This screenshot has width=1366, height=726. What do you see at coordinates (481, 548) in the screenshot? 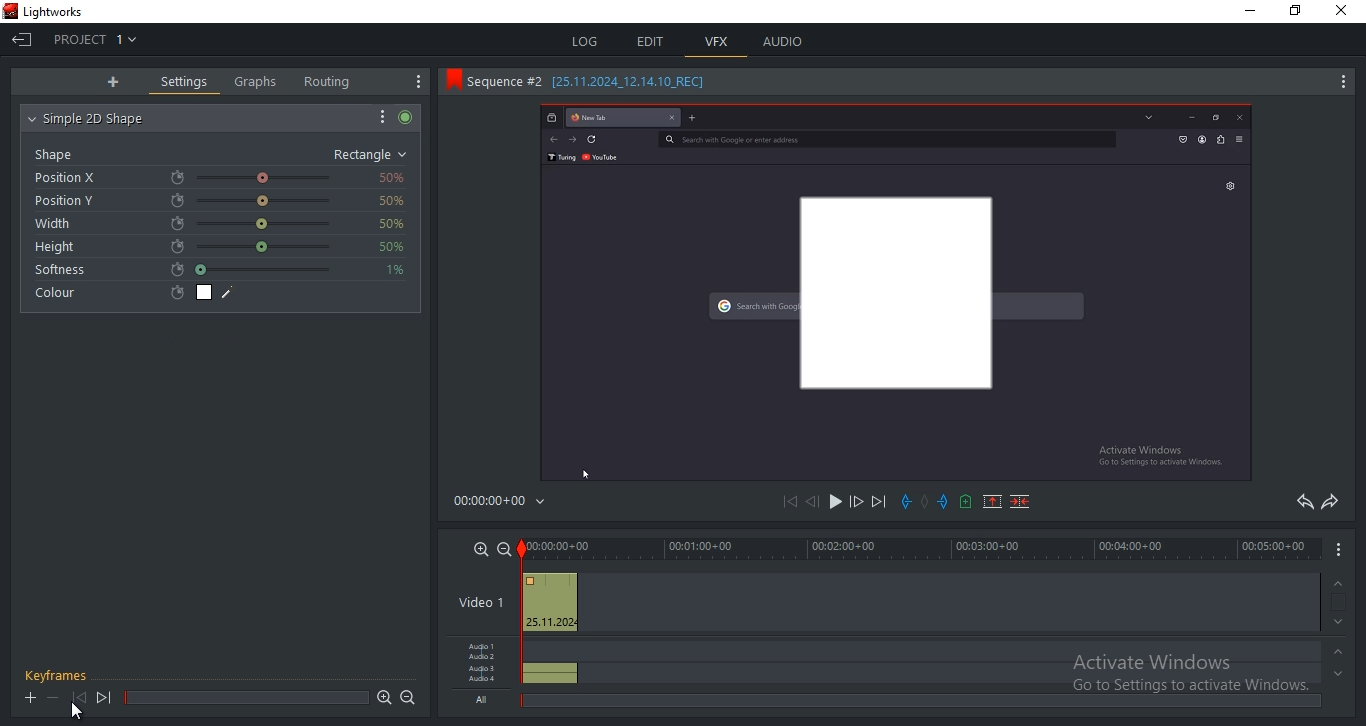
I see `zoom in` at bounding box center [481, 548].